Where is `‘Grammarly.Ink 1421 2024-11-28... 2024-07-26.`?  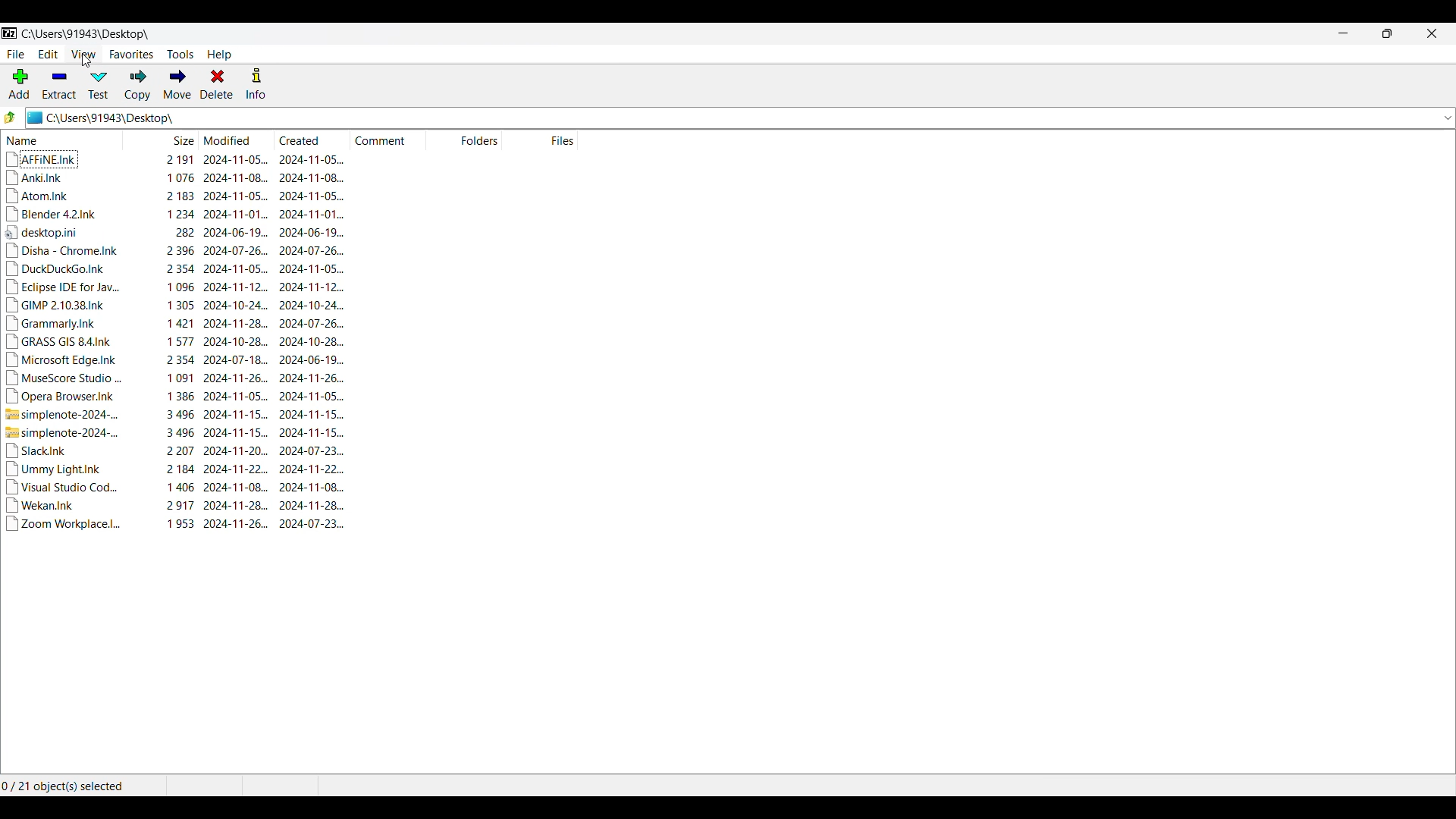 ‘Grammarly.Ink 1421 2024-11-28... 2024-07-26. is located at coordinates (174, 323).